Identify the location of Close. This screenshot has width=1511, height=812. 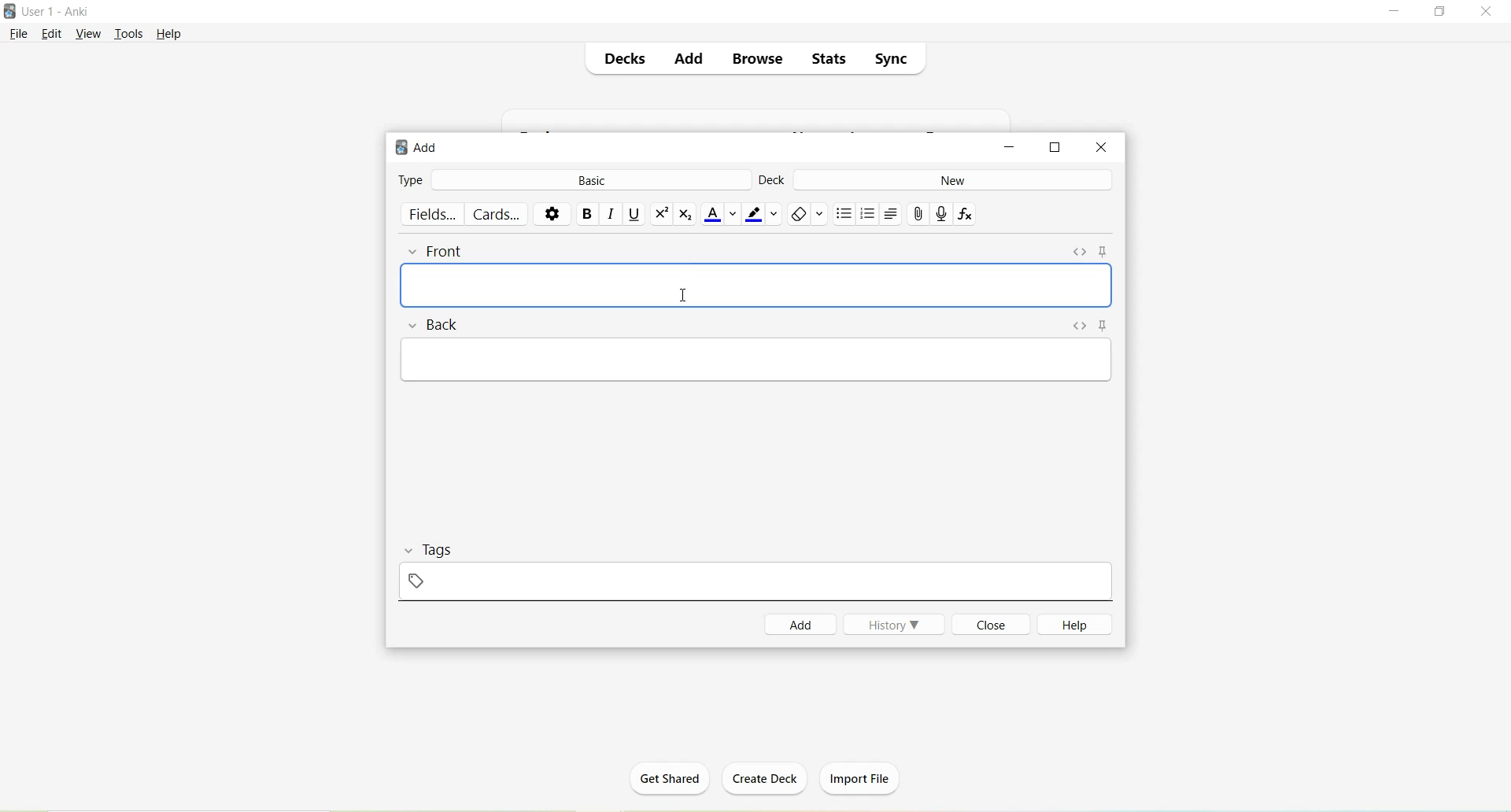
(988, 624).